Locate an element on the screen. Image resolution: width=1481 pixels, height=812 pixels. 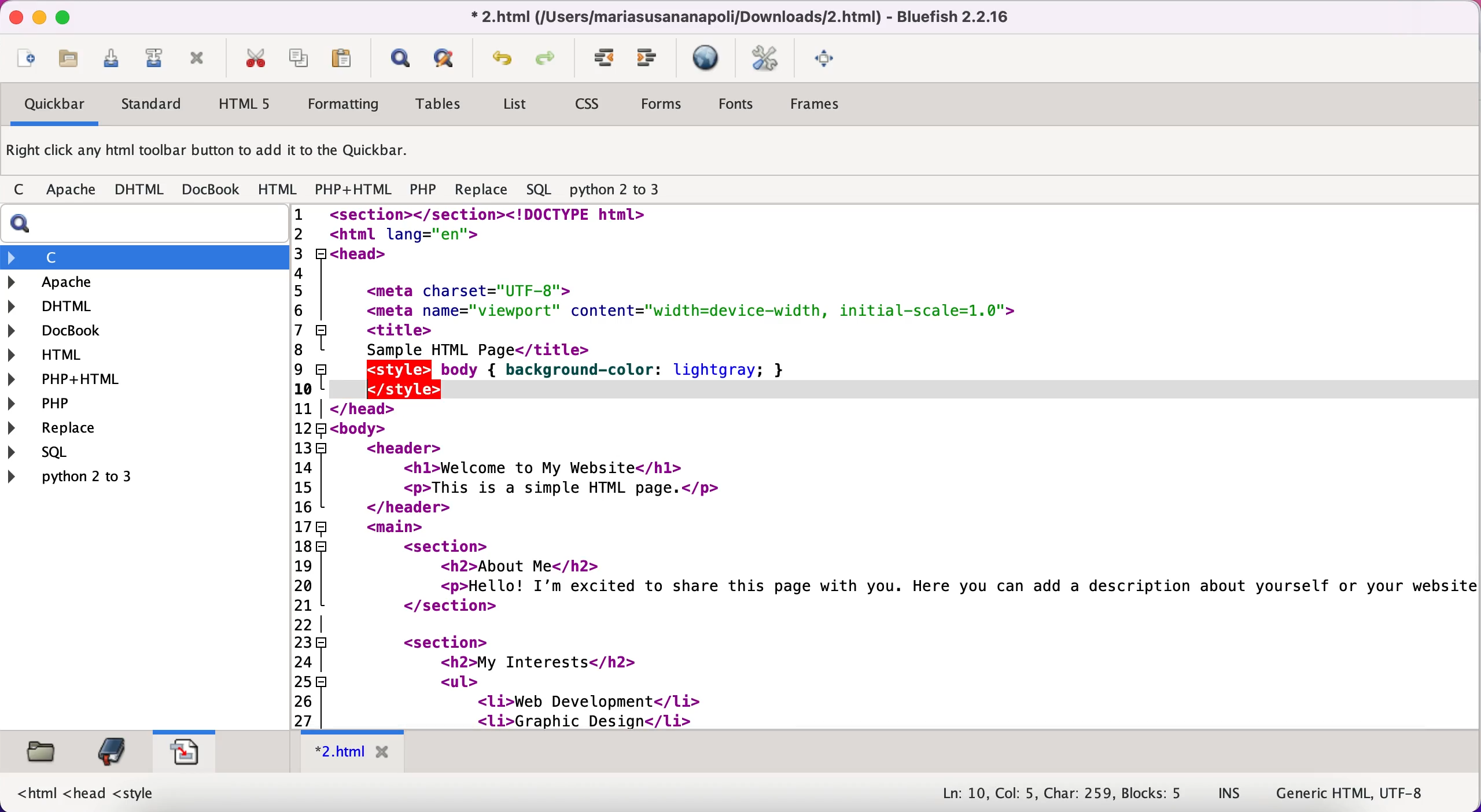
formatting is located at coordinates (344, 106).